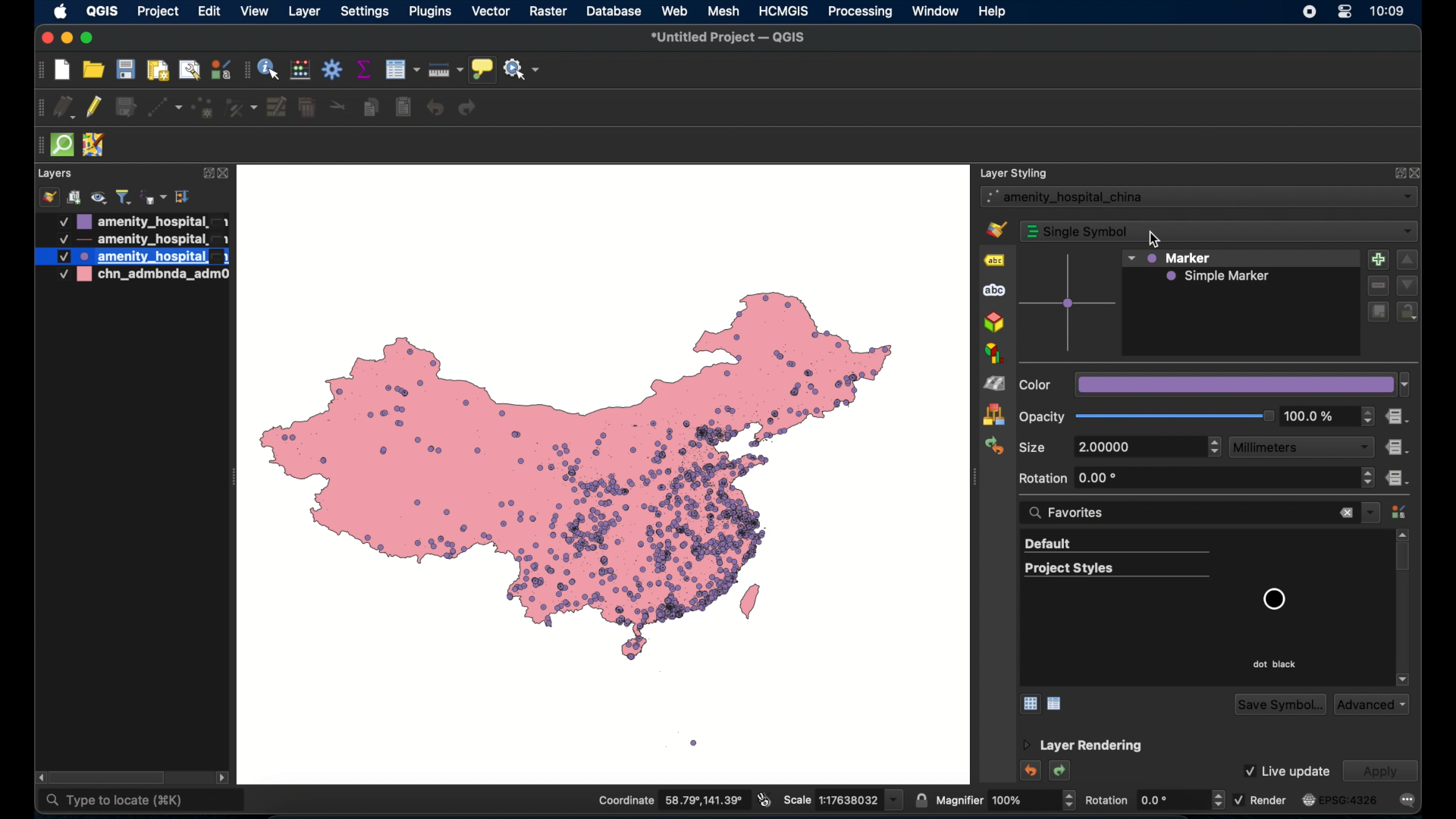 The image size is (1456, 819). What do you see at coordinates (371, 108) in the screenshot?
I see `copy features` at bounding box center [371, 108].